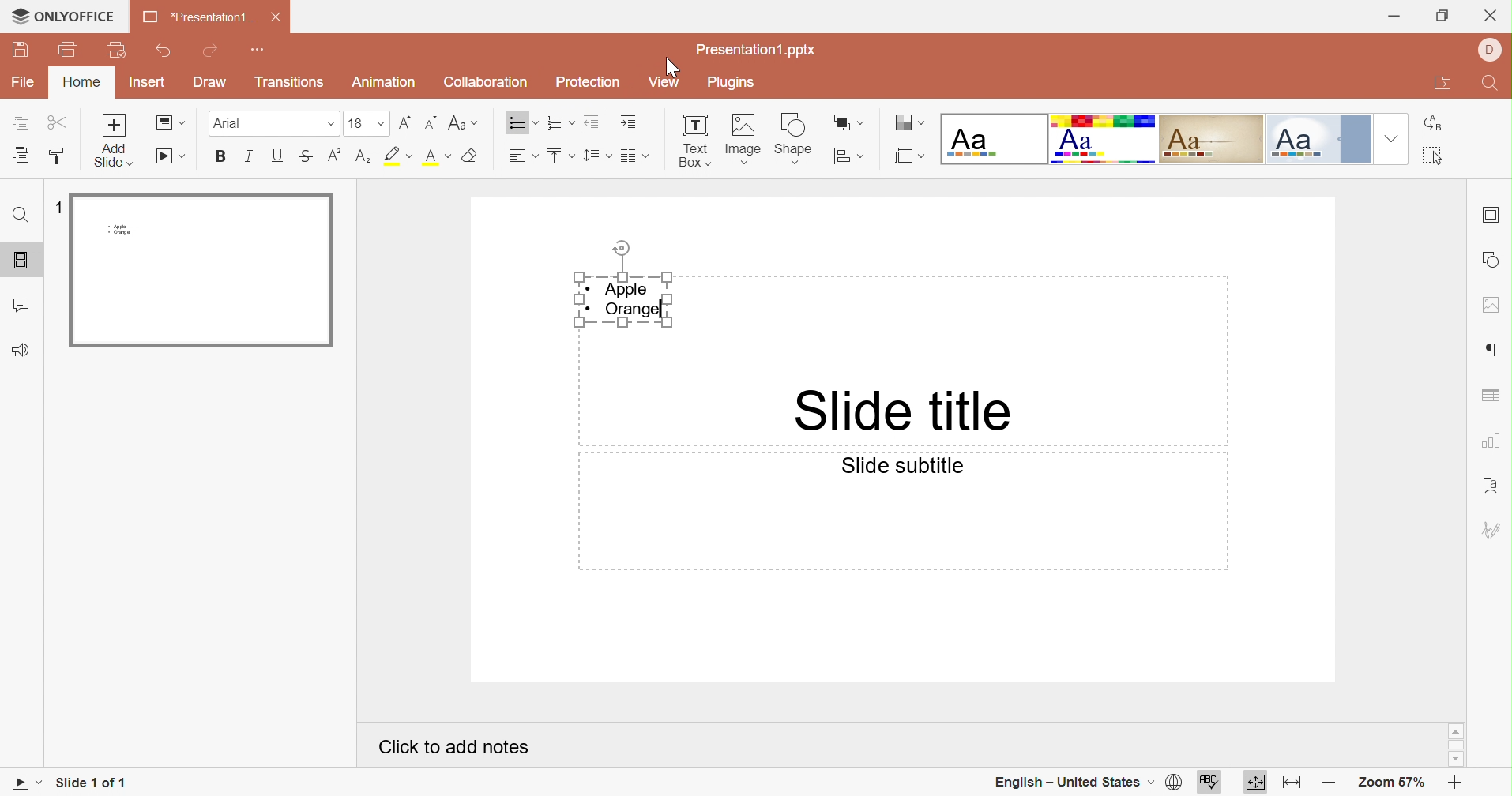  Describe the element at coordinates (590, 123) in the screenshot. I see `Decrease indent` at that location.